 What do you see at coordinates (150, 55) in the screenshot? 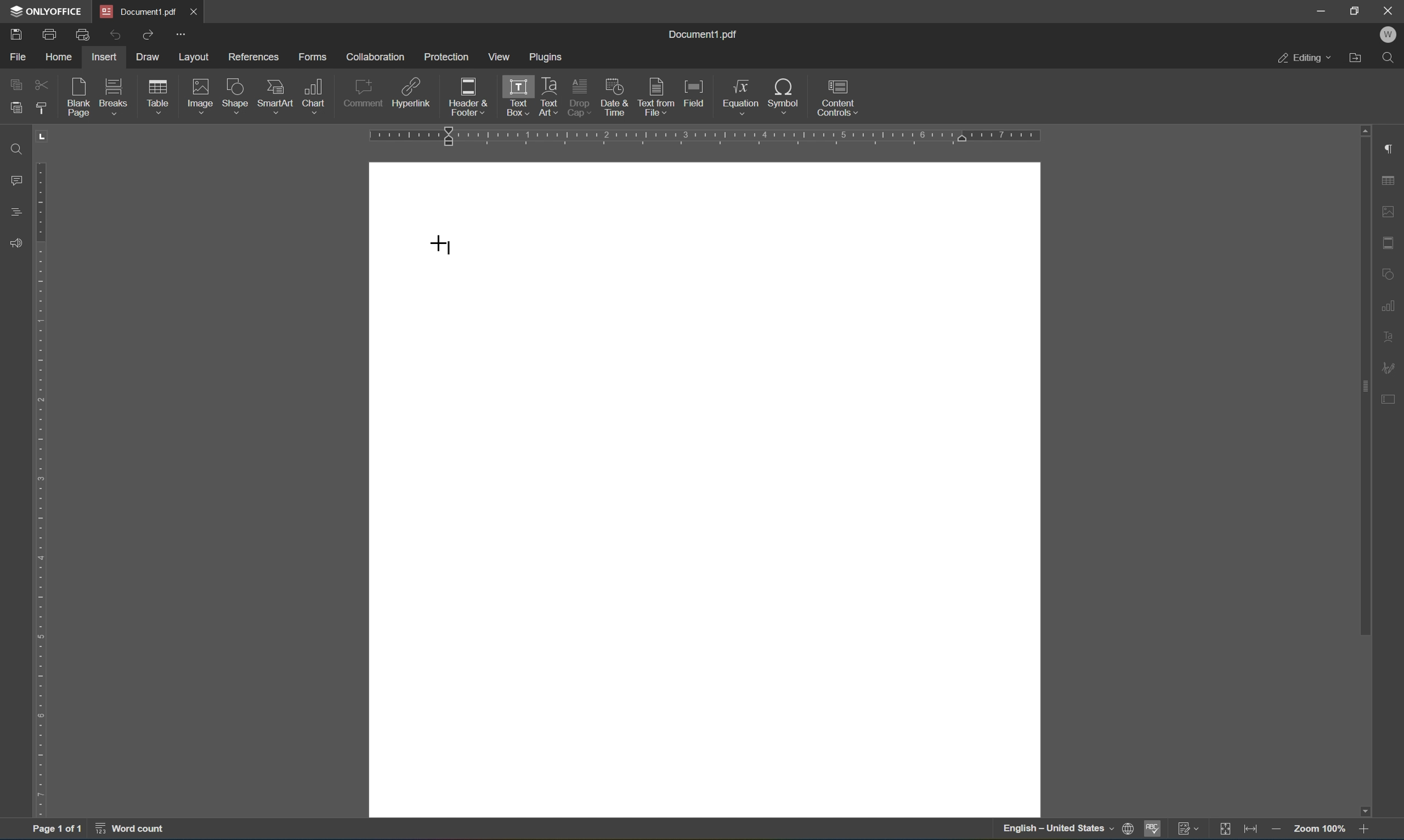
I see `draw` at bounding box center [150, 55].